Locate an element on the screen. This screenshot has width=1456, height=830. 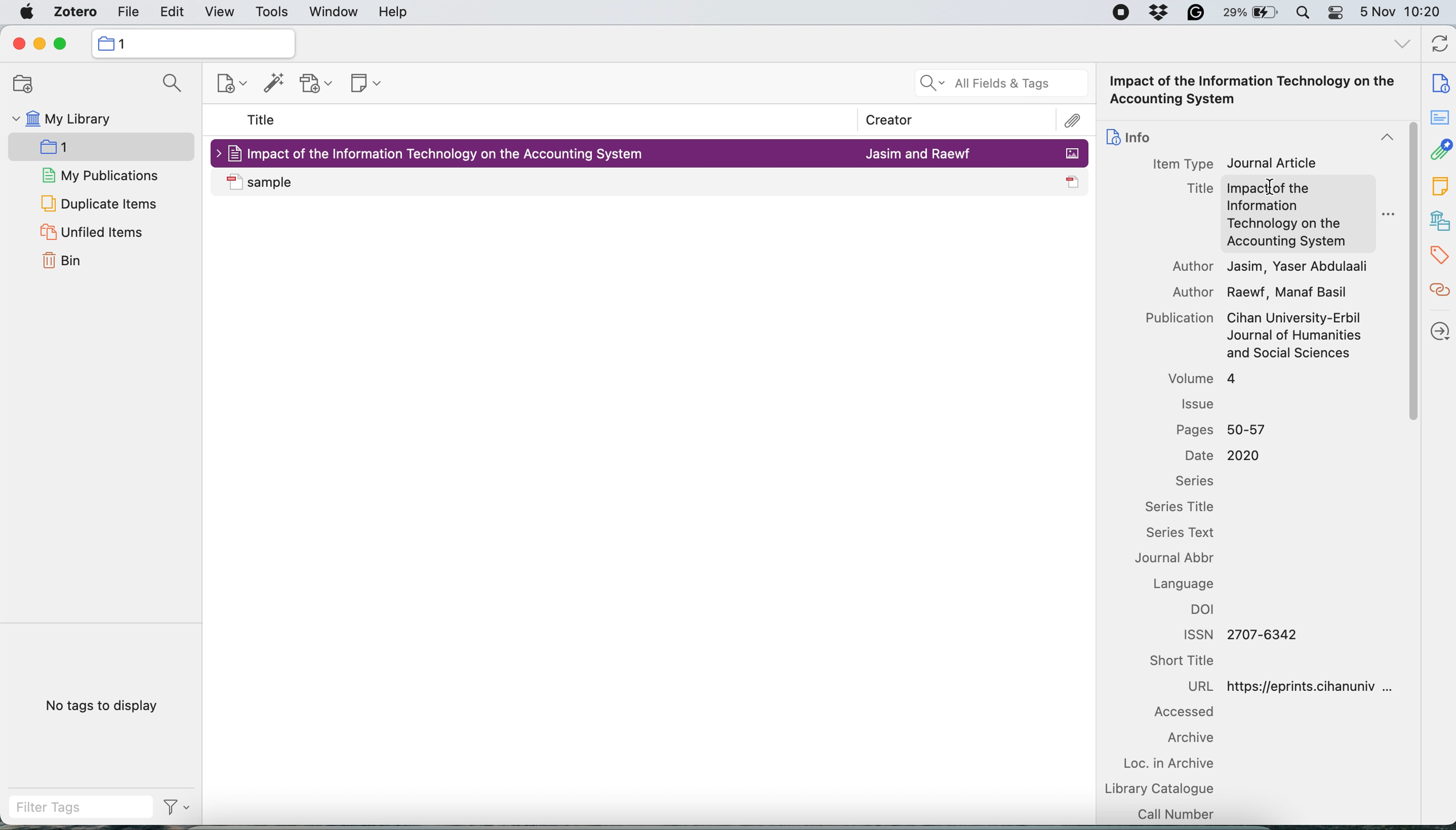
attachment is located at coordinates (1072, 121).